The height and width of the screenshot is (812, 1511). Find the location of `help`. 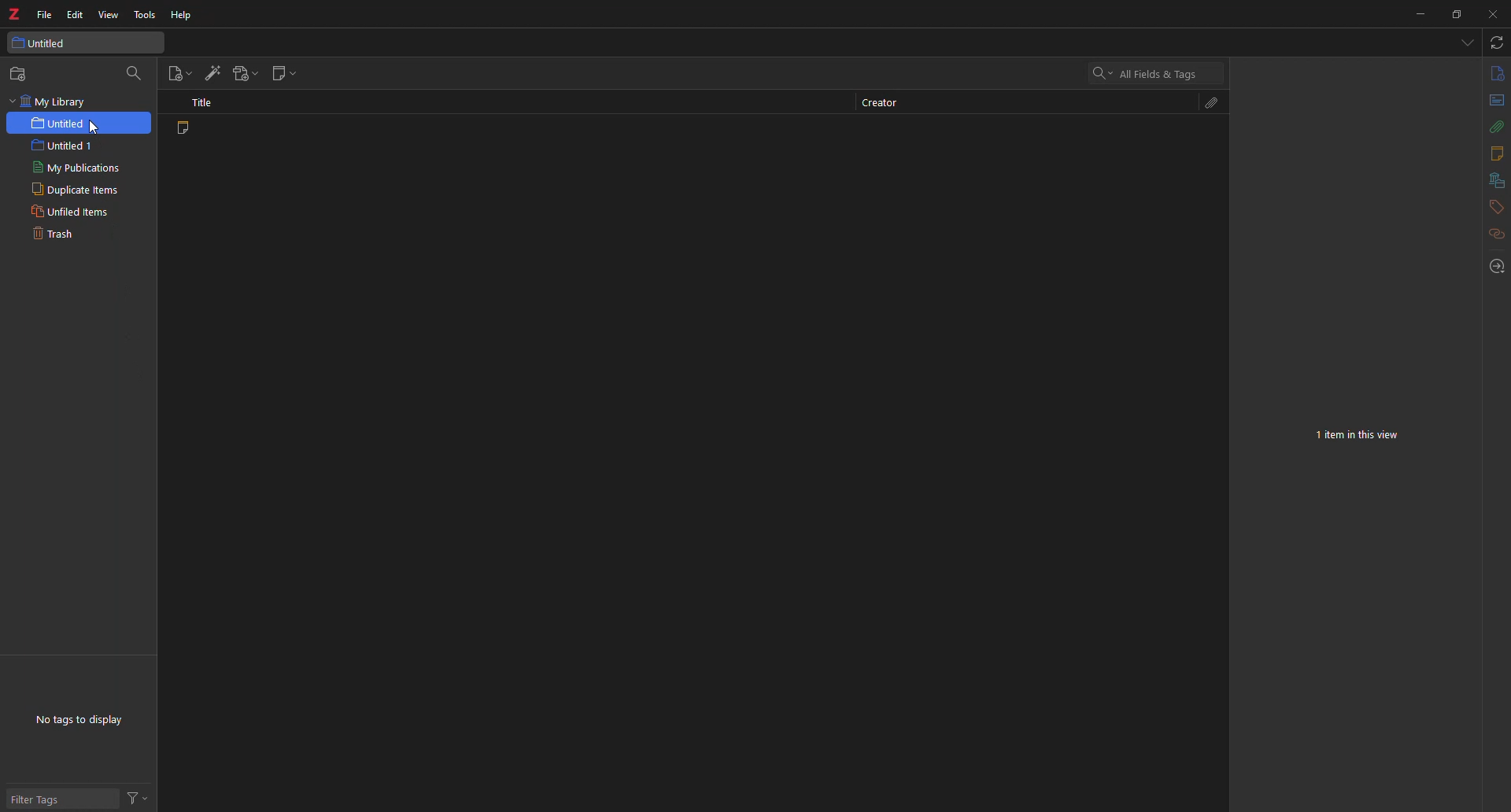

help is located at coordinates (183, 16).